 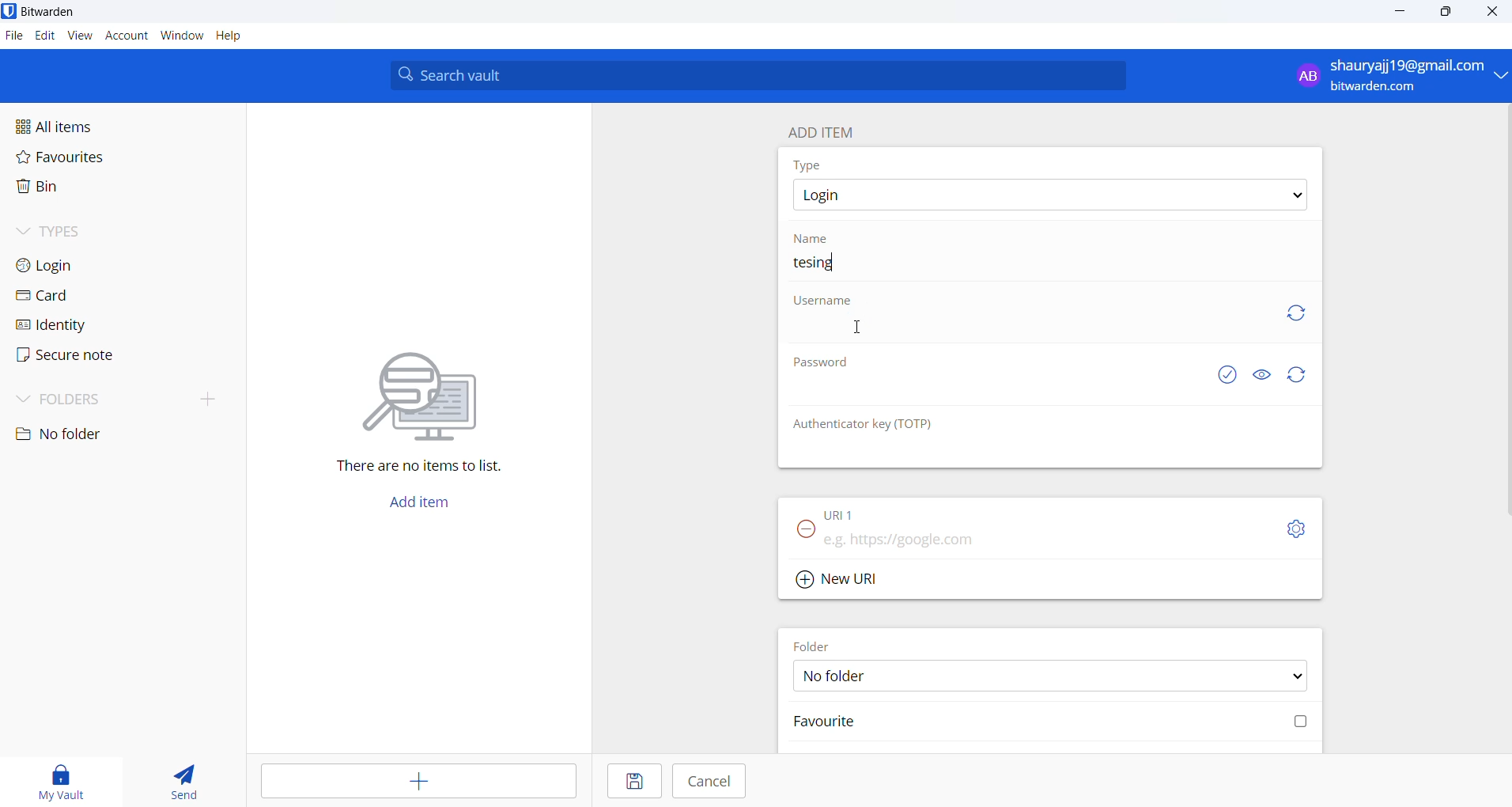 What do you see at coordinates (1509, 309) in the screenshot?
I see `scrollbar` at bounding box center [1509, 309].